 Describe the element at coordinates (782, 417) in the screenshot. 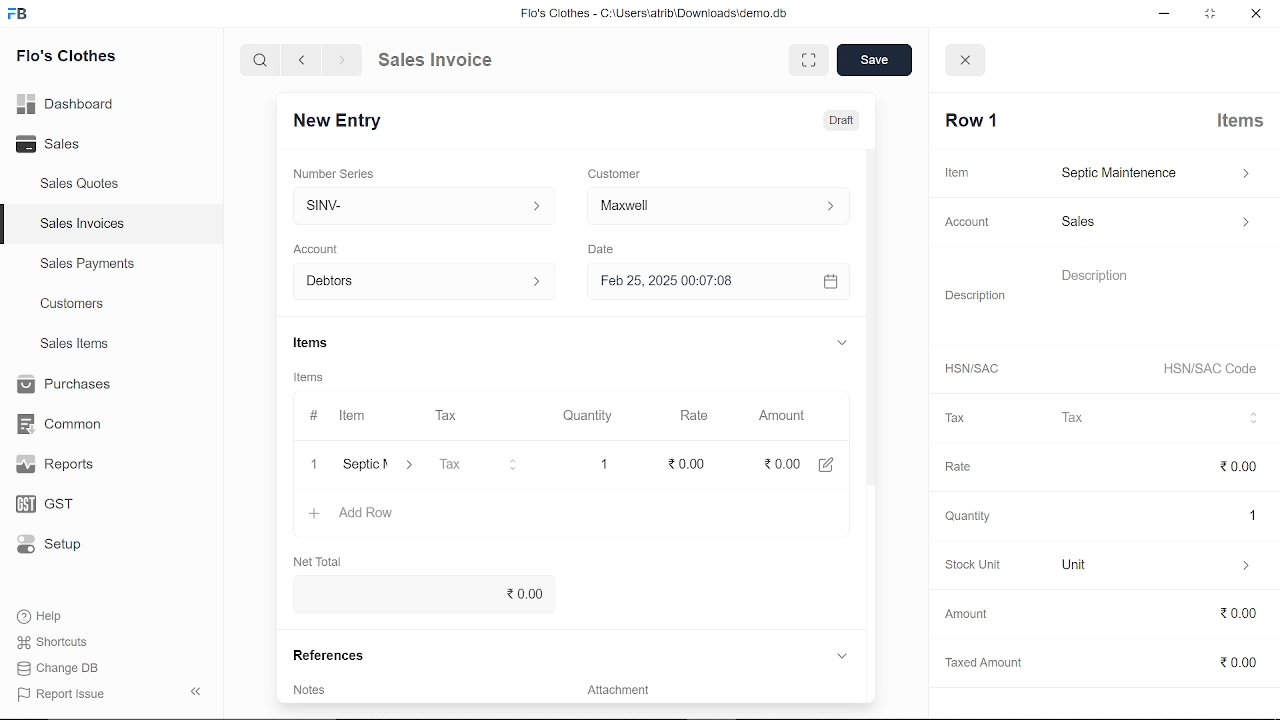

I see `Amount` at that location.